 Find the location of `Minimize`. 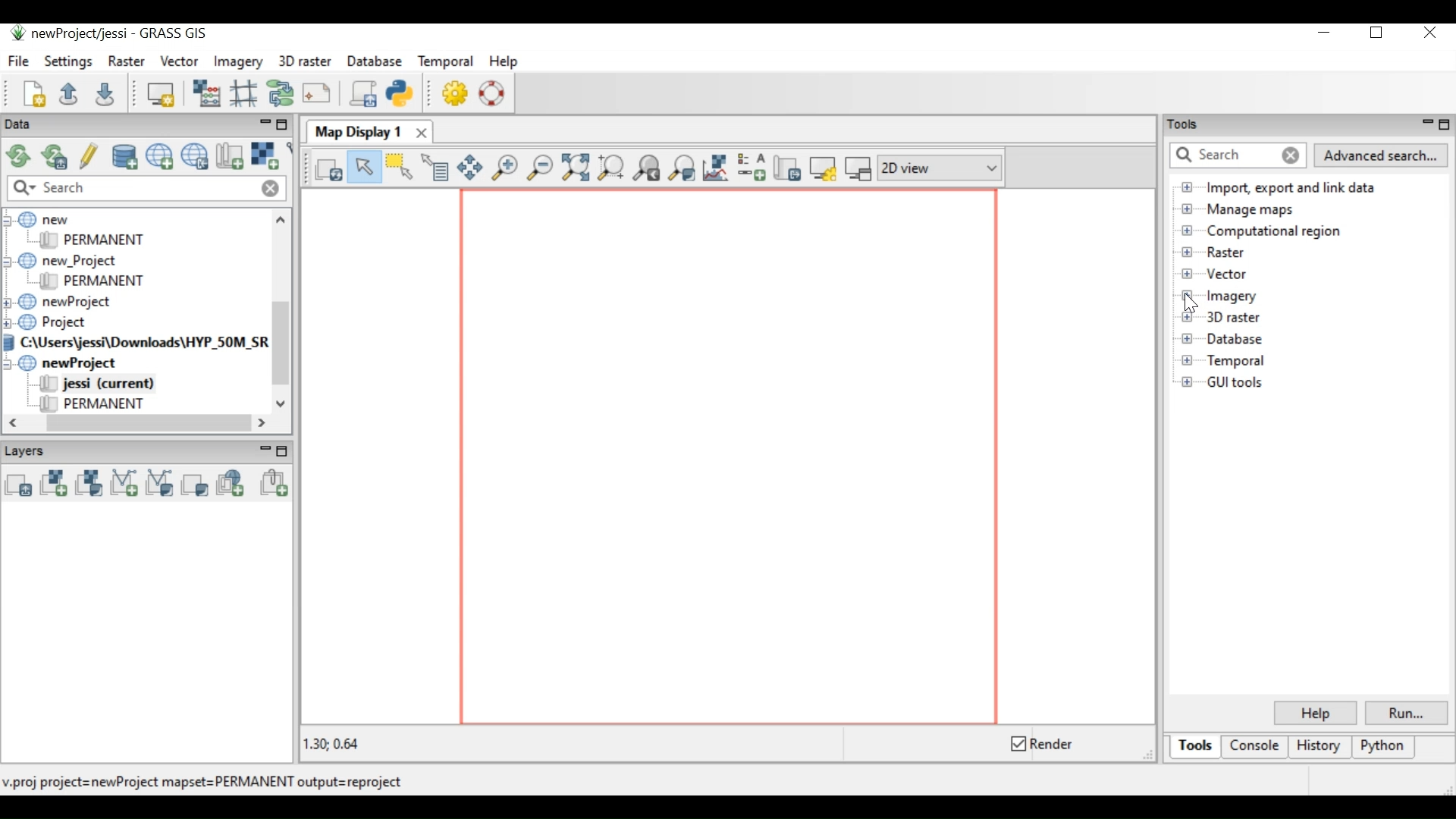

Minimize is located at coordinates (263, 125).